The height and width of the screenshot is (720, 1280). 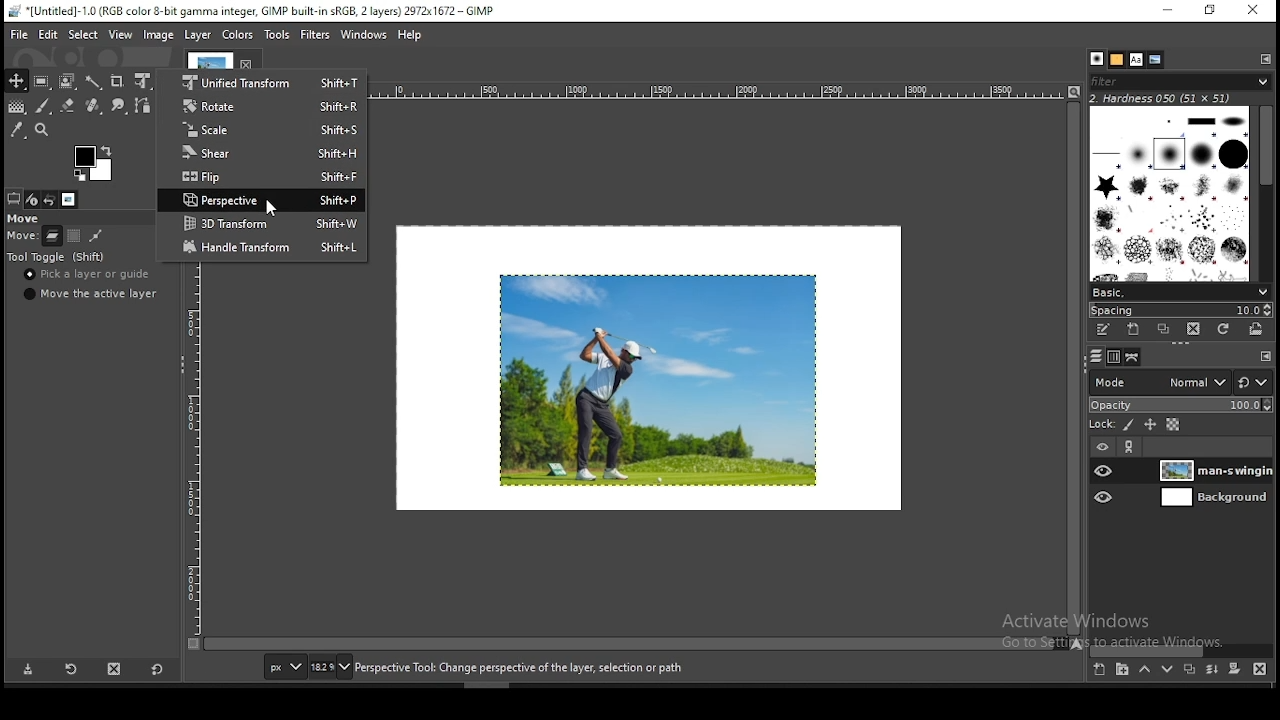 I want to click on restore, so click(x=1209, y=11).